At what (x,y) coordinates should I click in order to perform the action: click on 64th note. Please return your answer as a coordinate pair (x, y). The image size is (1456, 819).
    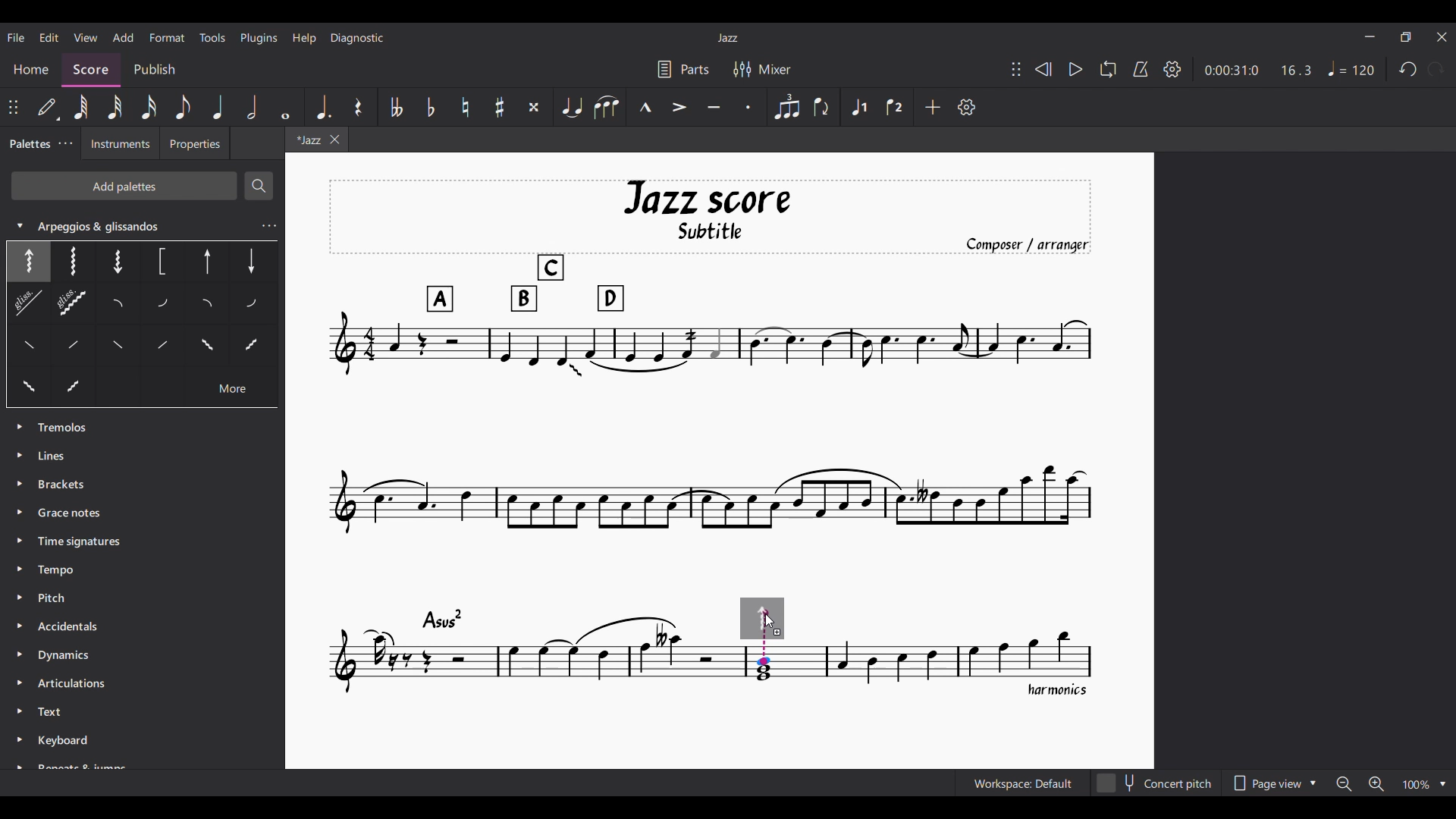
    Looking at the image, I should click on (81, 107).